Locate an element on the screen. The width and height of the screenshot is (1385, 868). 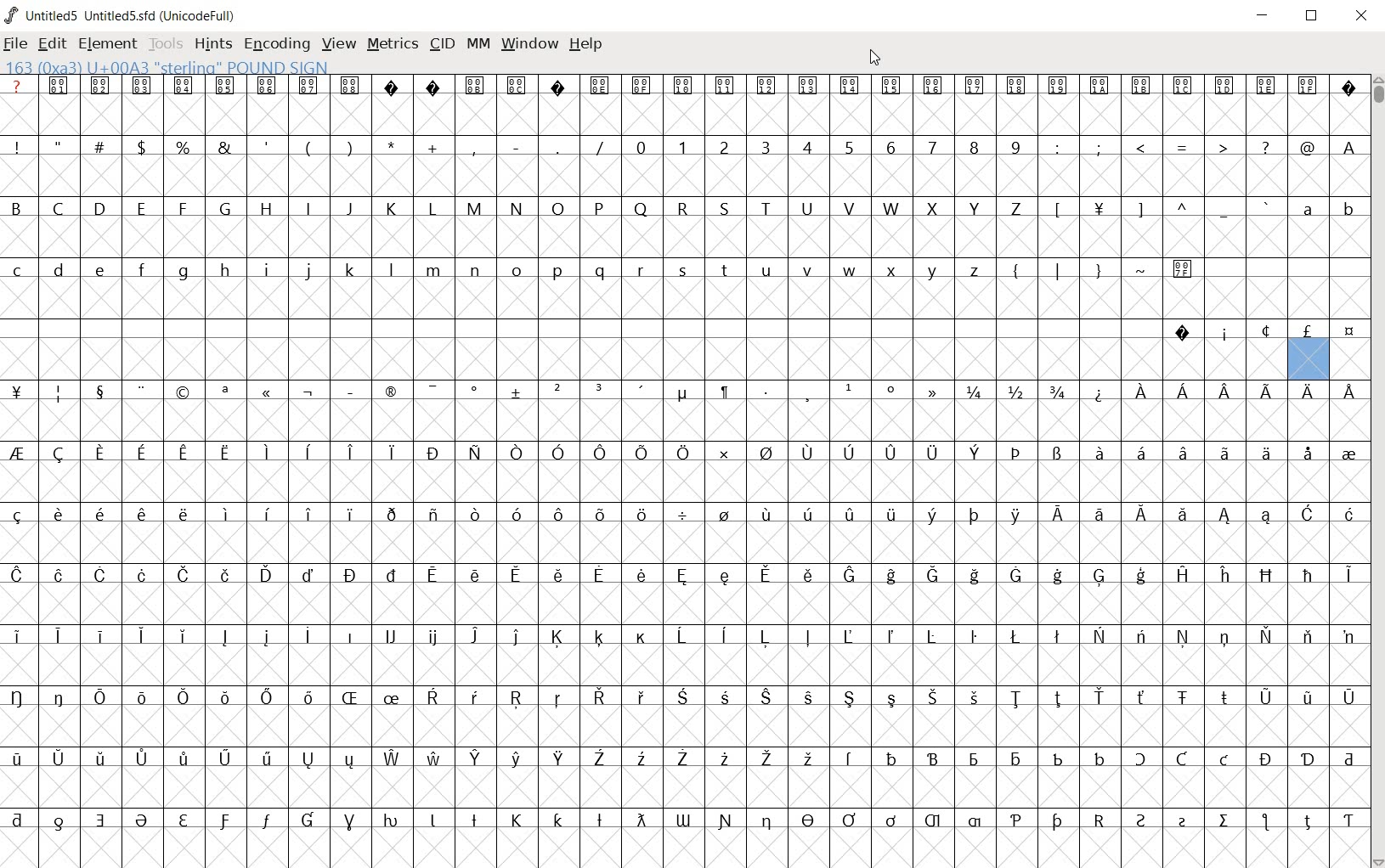
Symbol is located at coordinates (1057, 454).